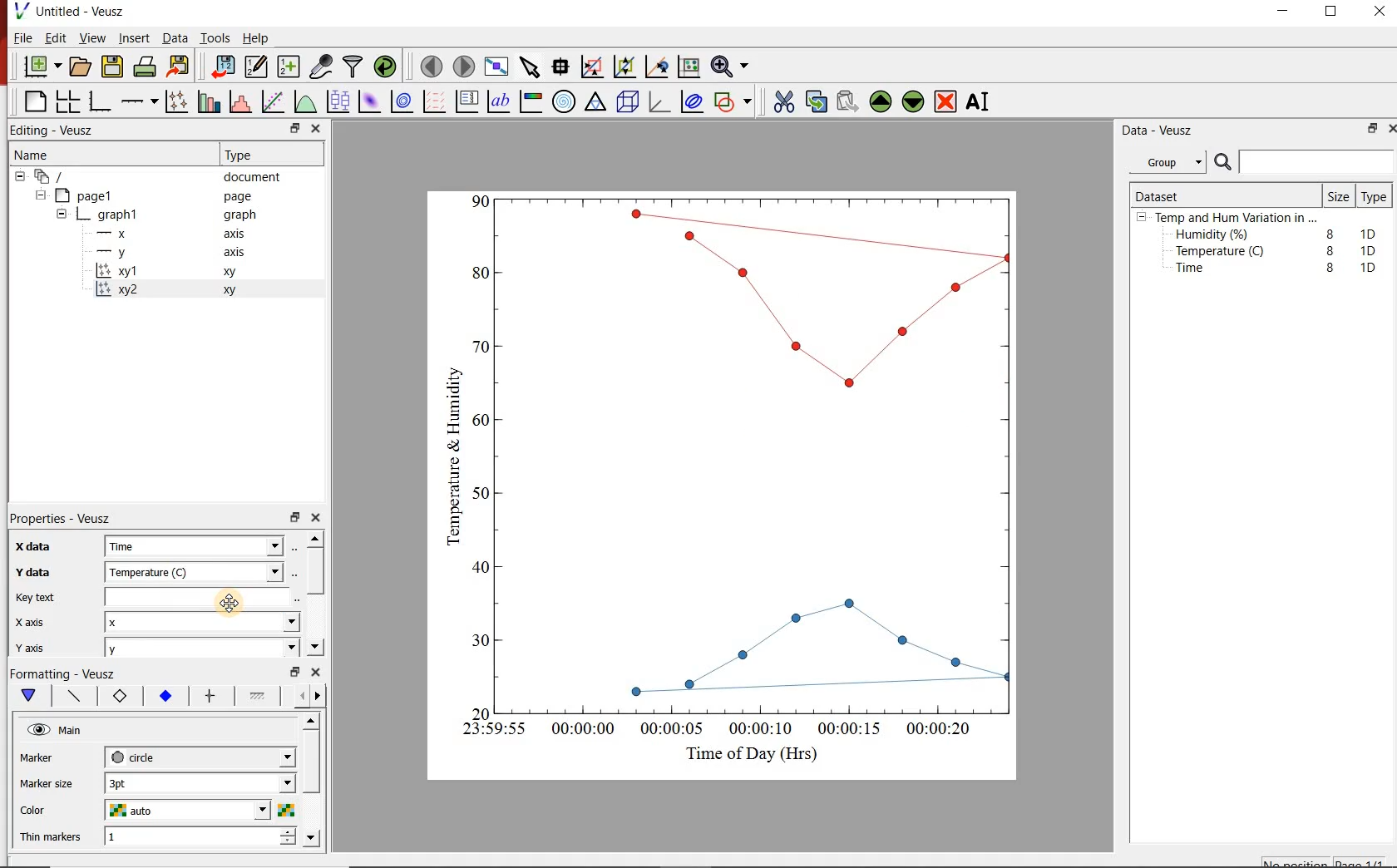 The image size is (1397, 868). Describe the element at coordinates (317, 128) in the screenshot. I see `close` at that location.